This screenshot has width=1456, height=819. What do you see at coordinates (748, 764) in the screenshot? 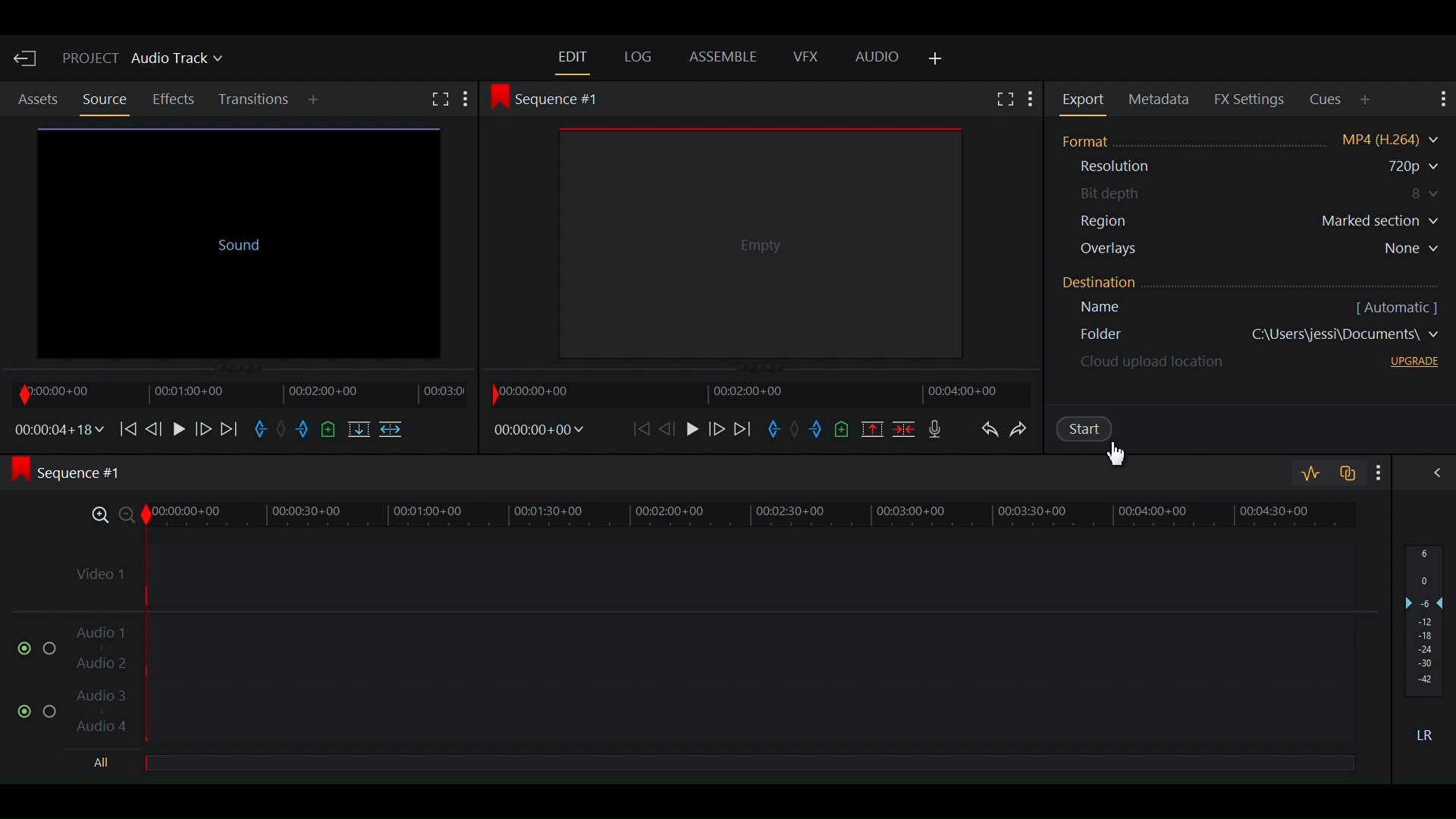
I see `All` at bounding box center [748, 764].